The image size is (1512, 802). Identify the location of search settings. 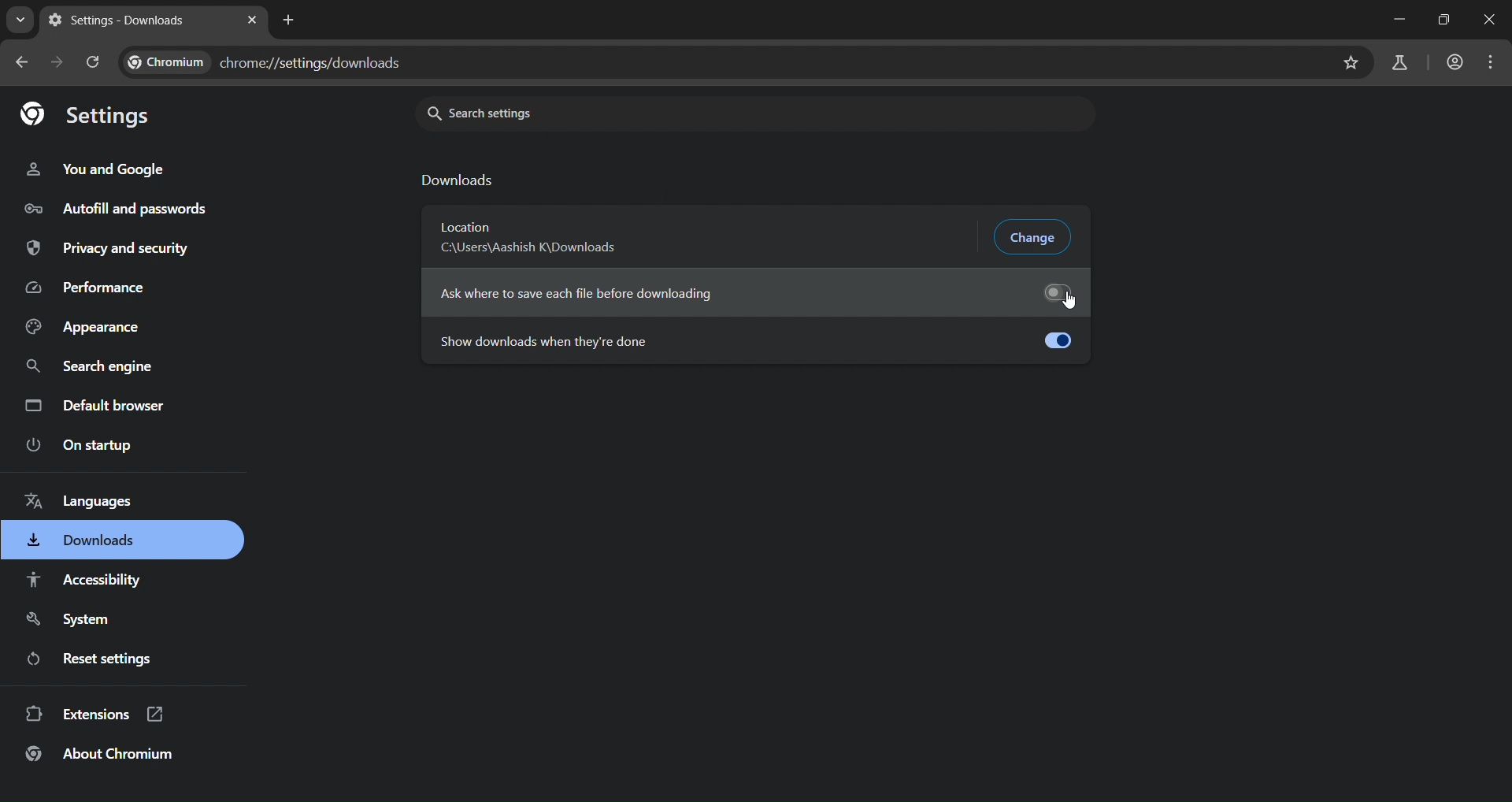
(672, 114).